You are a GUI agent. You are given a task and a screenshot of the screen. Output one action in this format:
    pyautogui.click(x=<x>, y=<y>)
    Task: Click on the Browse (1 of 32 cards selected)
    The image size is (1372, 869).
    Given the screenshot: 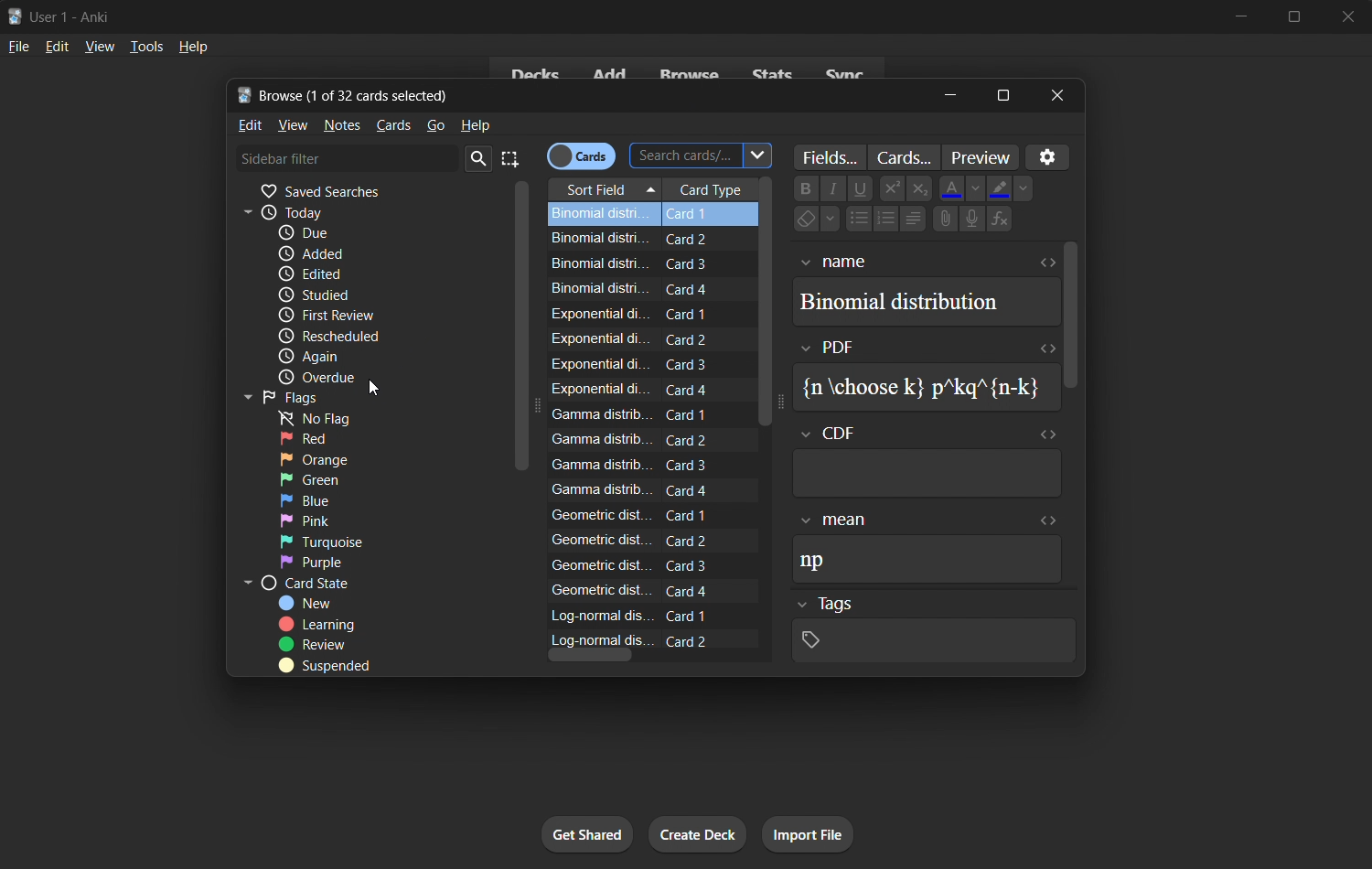 What is the action you would take?
    pyautogui.click(x=353, y=93)
    